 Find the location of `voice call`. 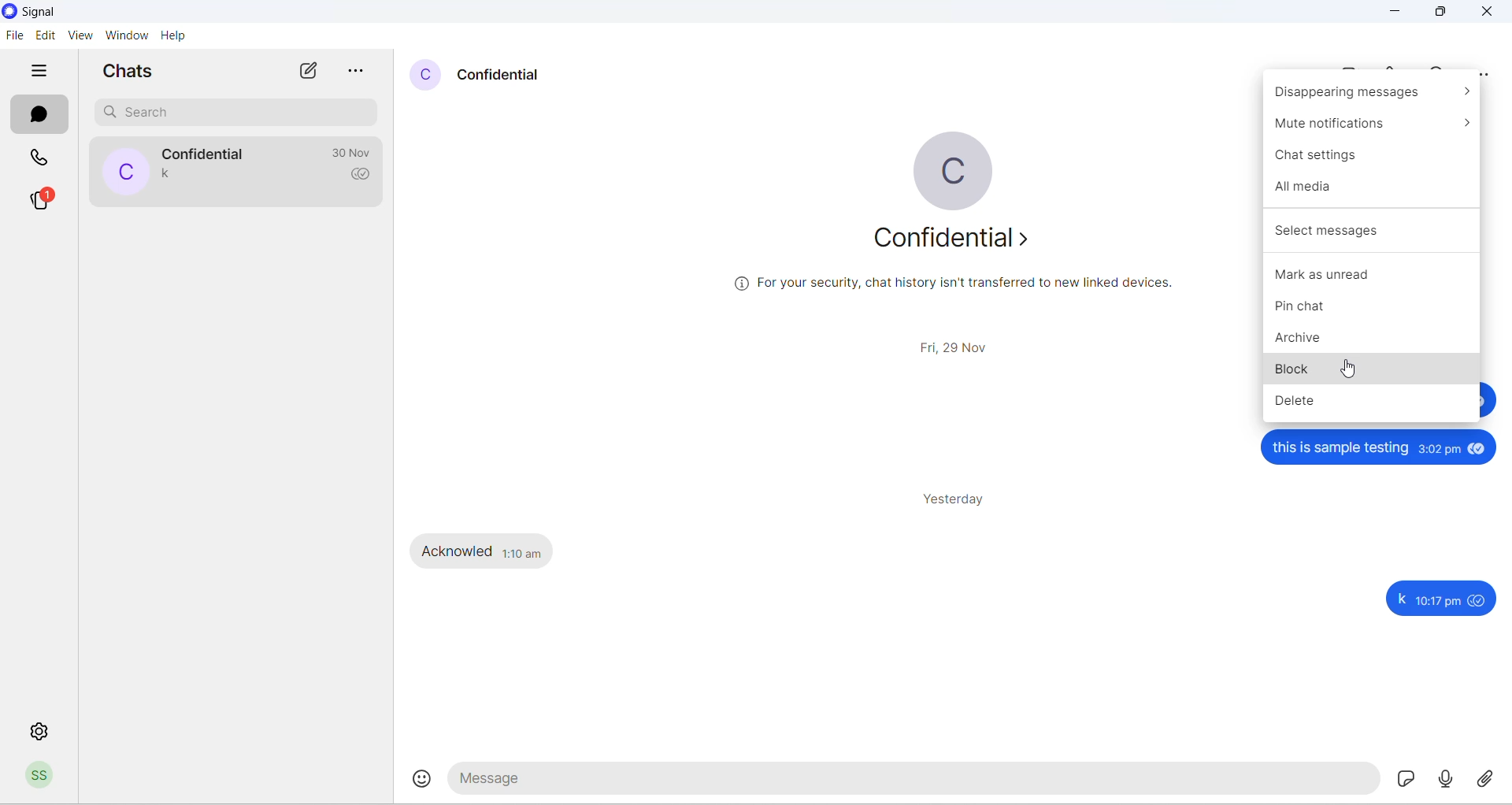

voice call is located at coordinates (1395, 69).